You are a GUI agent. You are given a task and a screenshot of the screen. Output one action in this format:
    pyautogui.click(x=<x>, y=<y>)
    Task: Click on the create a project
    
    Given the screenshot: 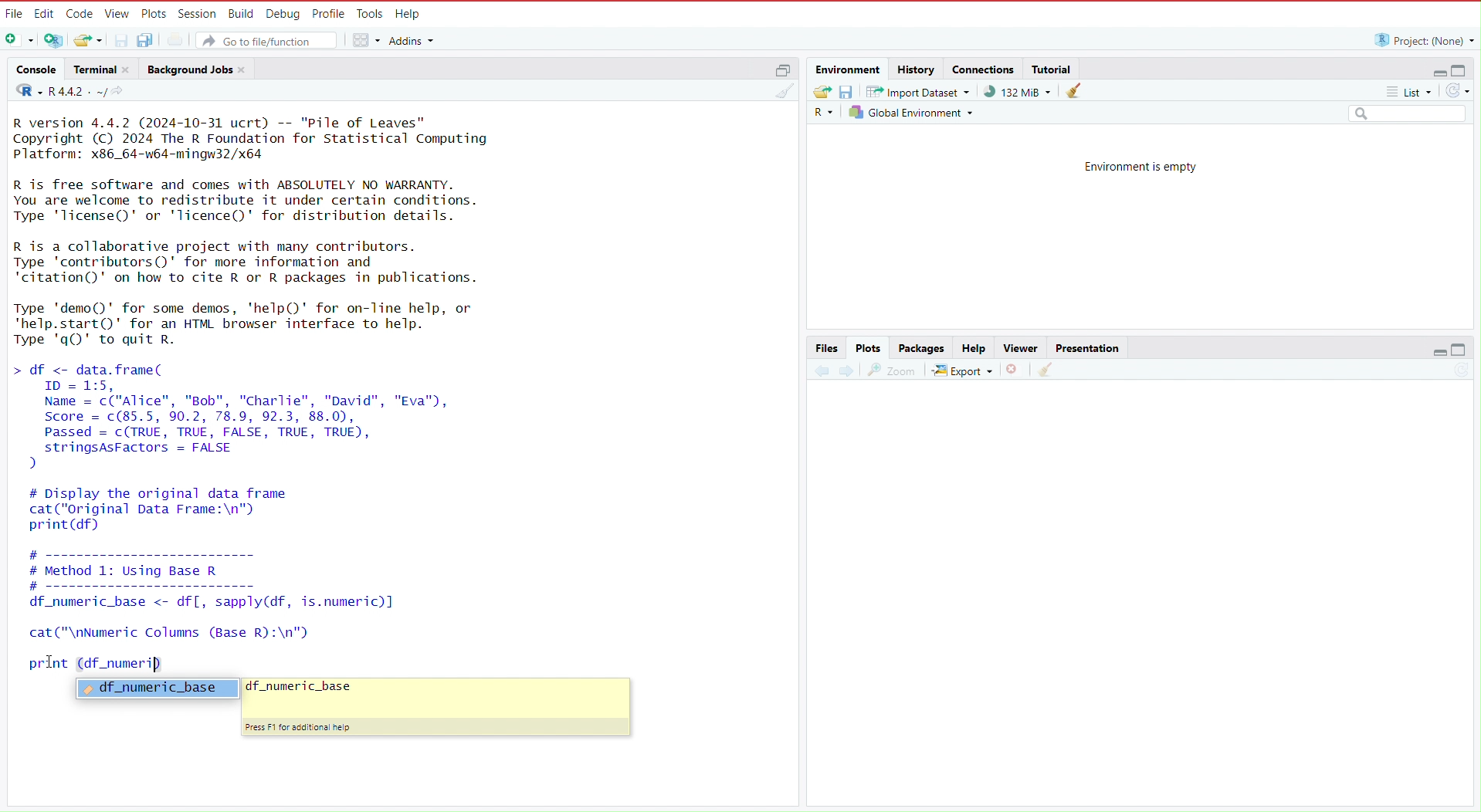 What is the action you would take?
    pyautogui.click(x=54, y=39)
    